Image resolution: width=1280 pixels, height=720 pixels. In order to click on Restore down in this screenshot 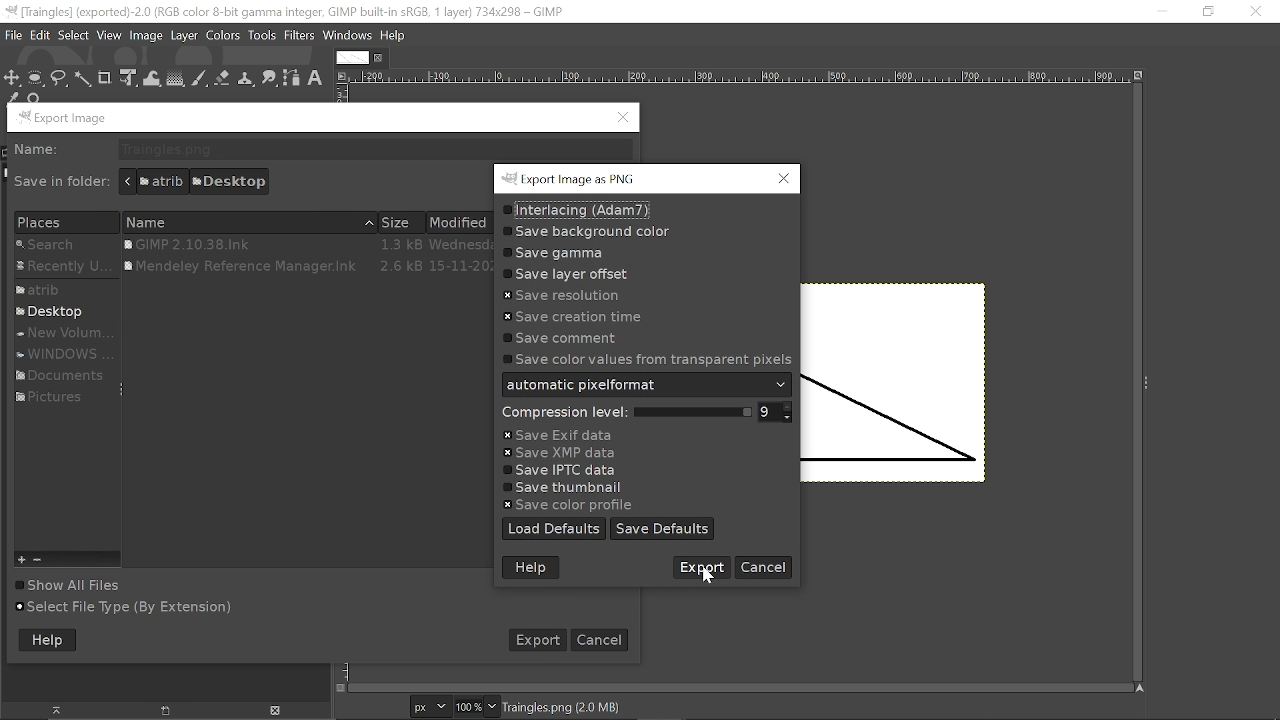, I will do `click(1206, 12)`.